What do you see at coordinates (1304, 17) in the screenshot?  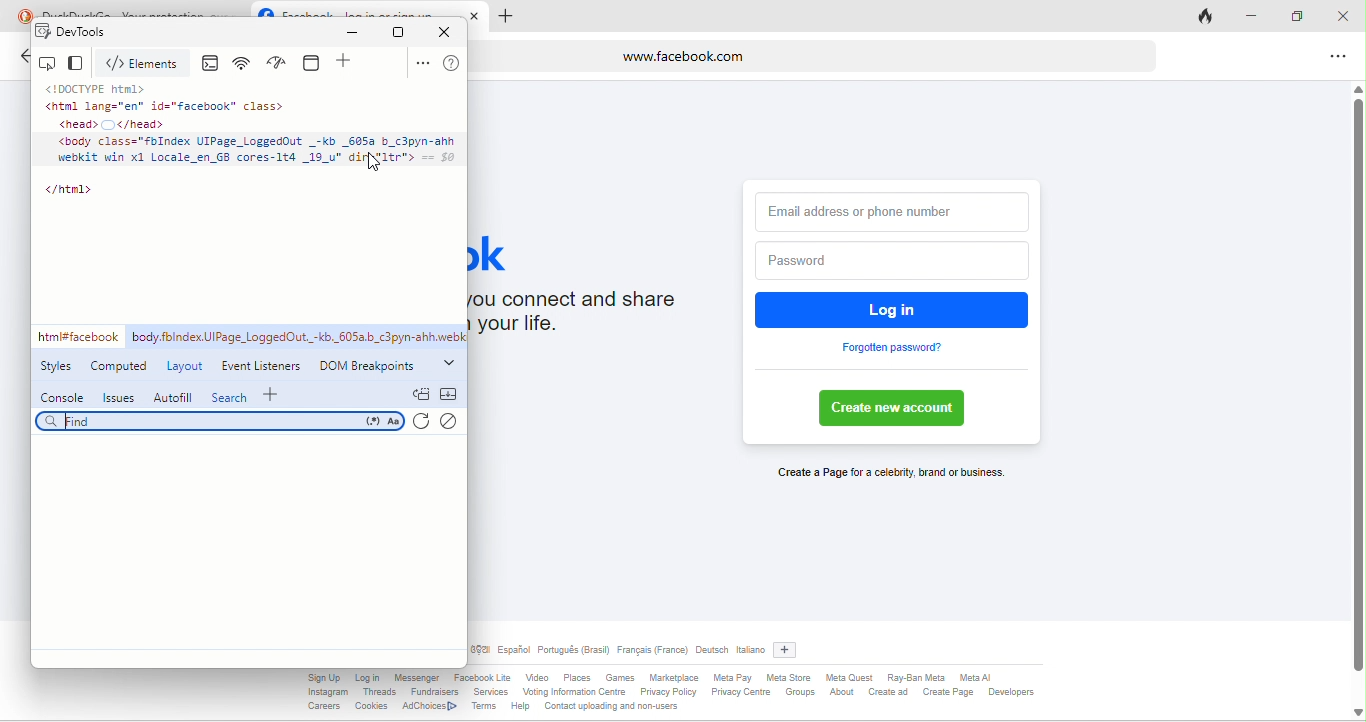 I see `maximize` at bounding box center [1304, 17].